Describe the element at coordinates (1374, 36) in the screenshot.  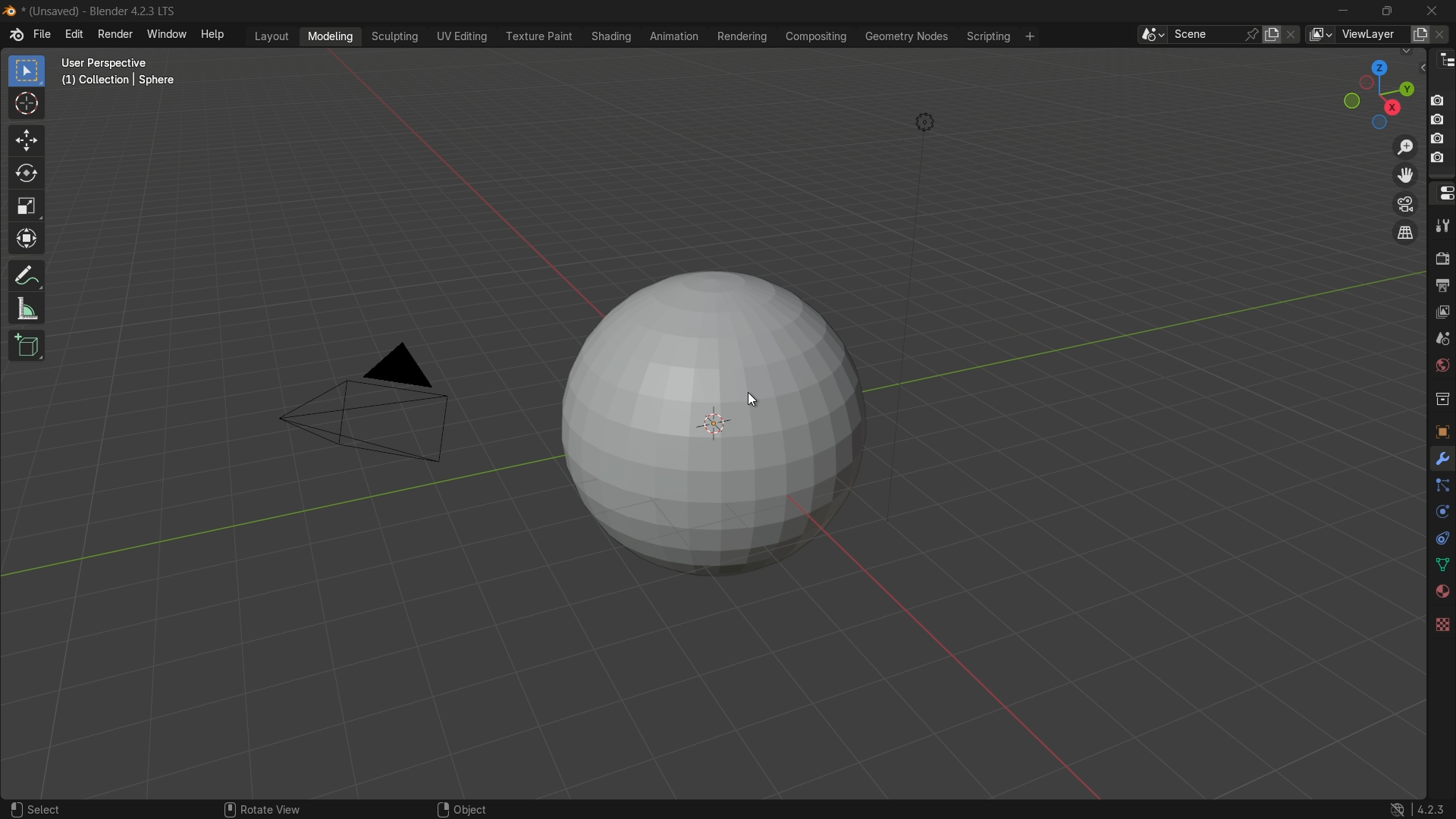
I see `view layer name` at that location.